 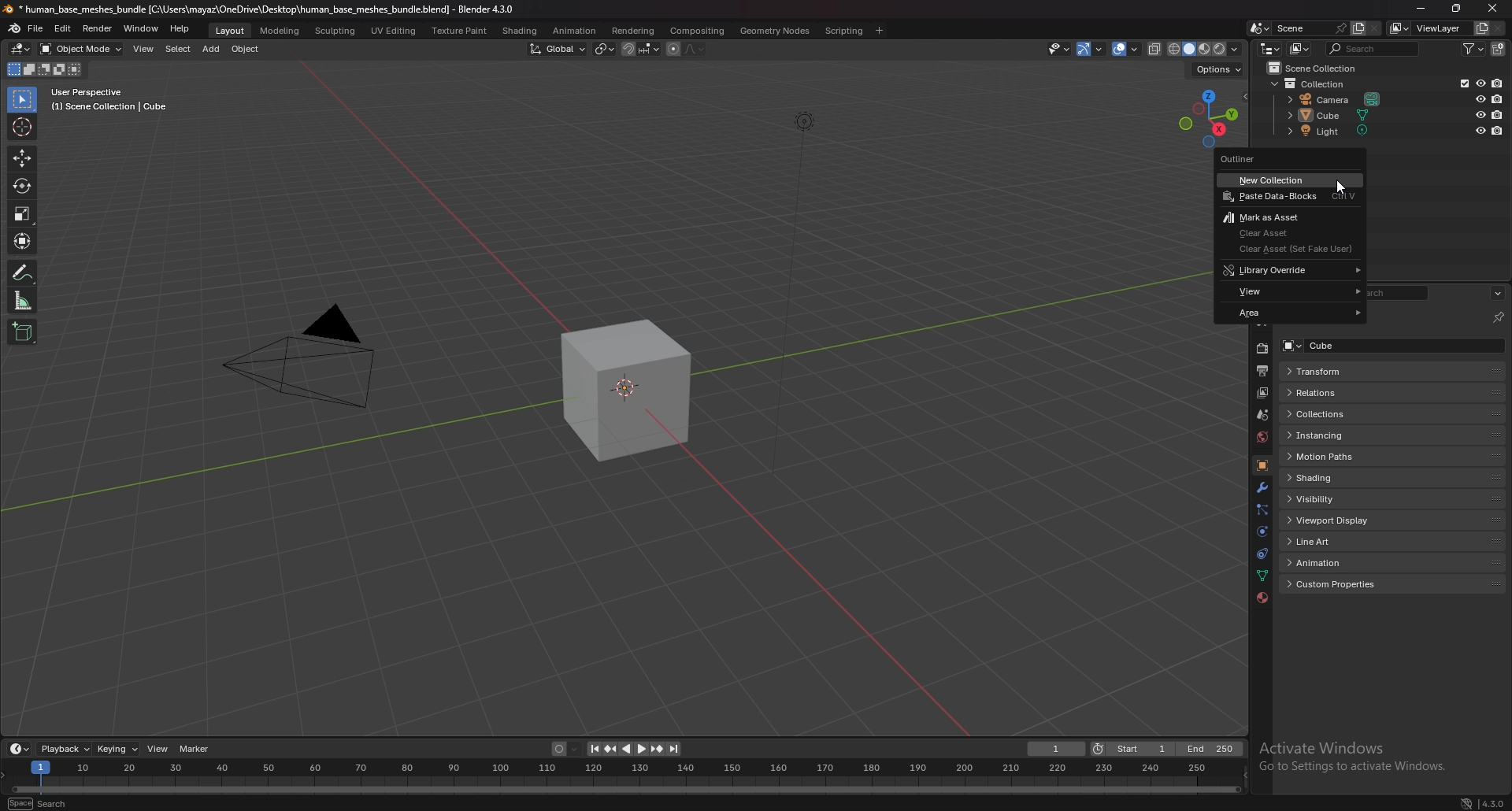 What do you see at coordinates (845, 31) in the screenshot?
I see `scripting` at bounding box center [845, 31].